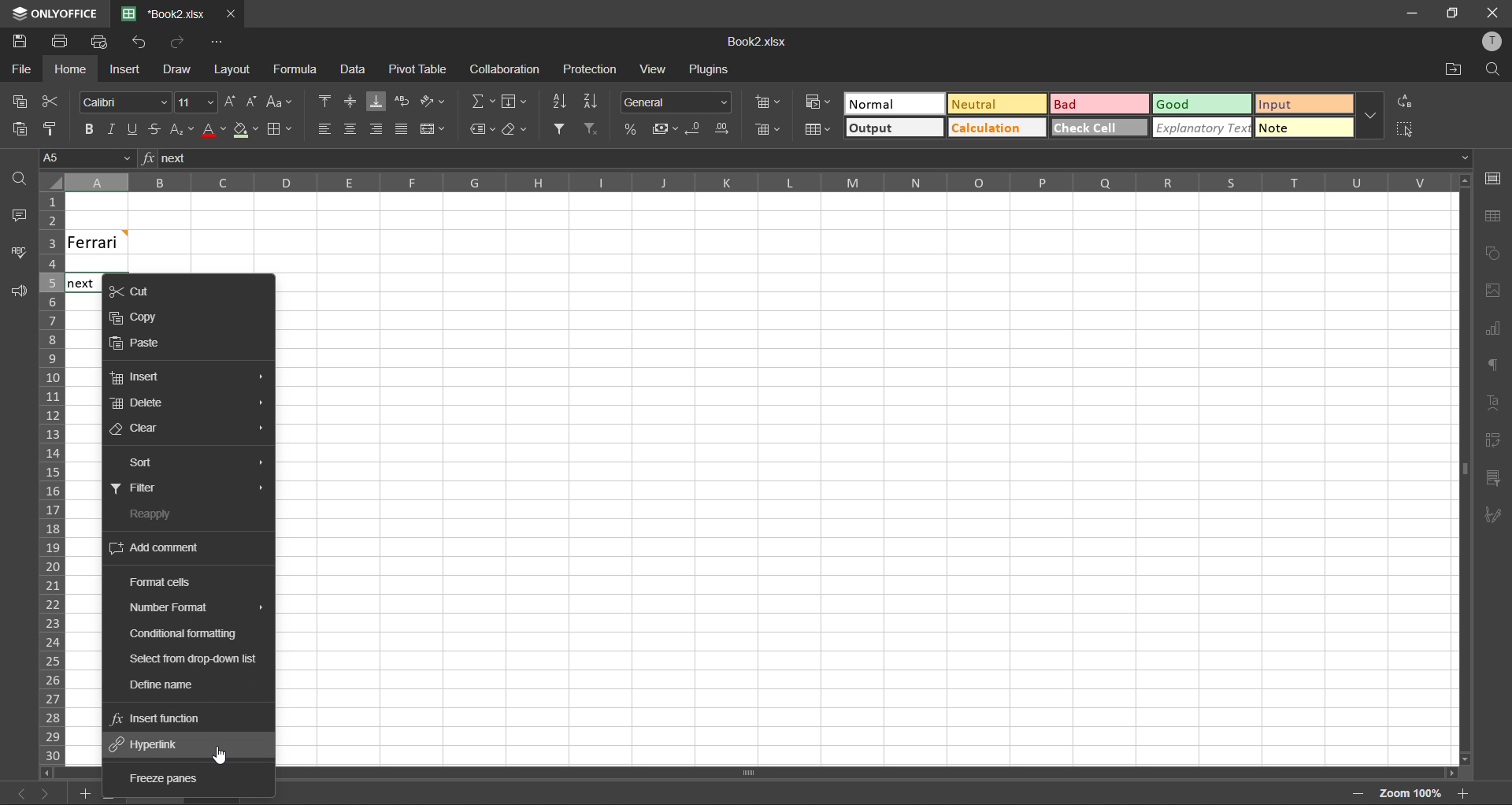  What do you see at coordinates (157, 551) in the screenshot?
I see `add comment` at bounding box center [157, 551].